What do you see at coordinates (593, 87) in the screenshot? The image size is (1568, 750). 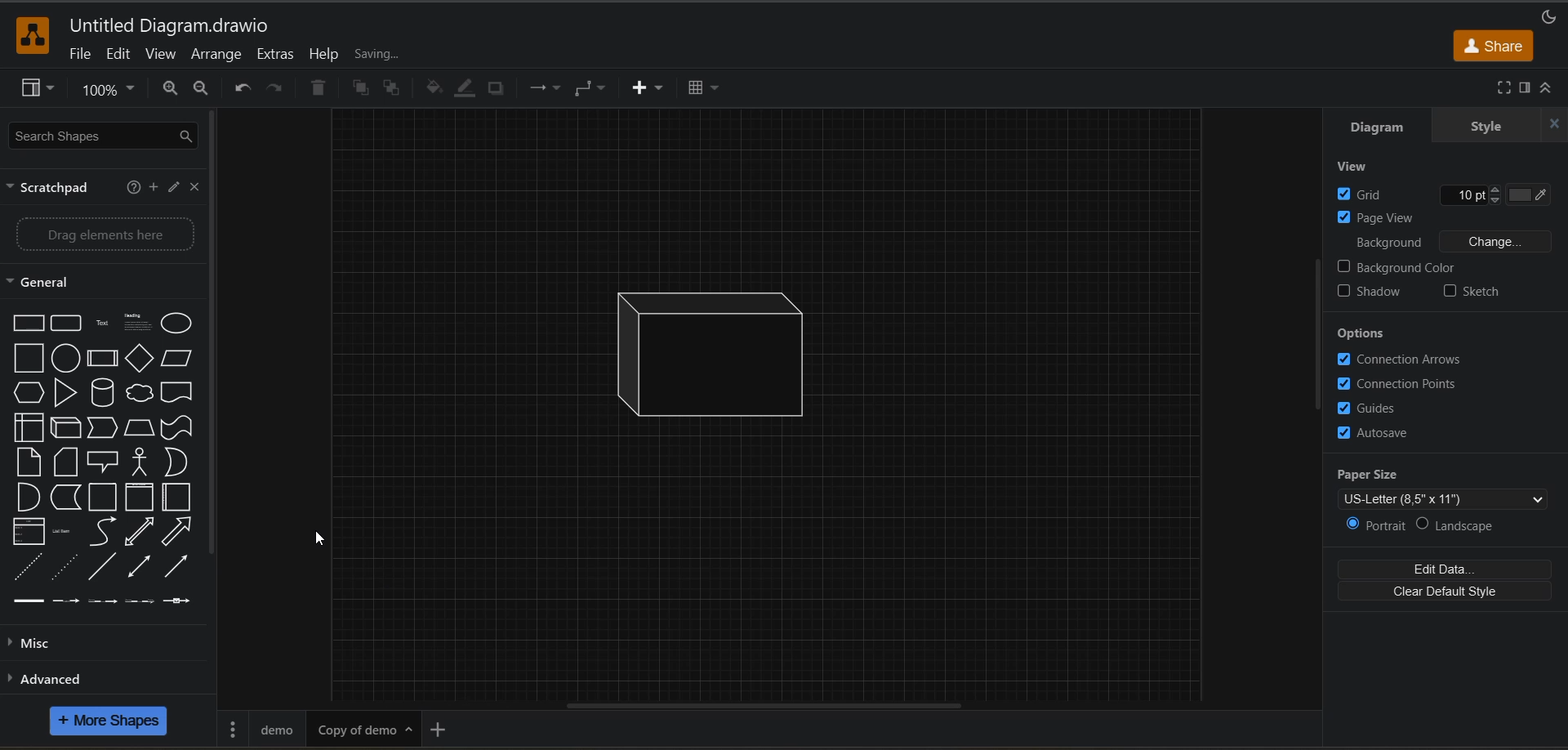 I see `waypoints` at bounding box center [593, 87].